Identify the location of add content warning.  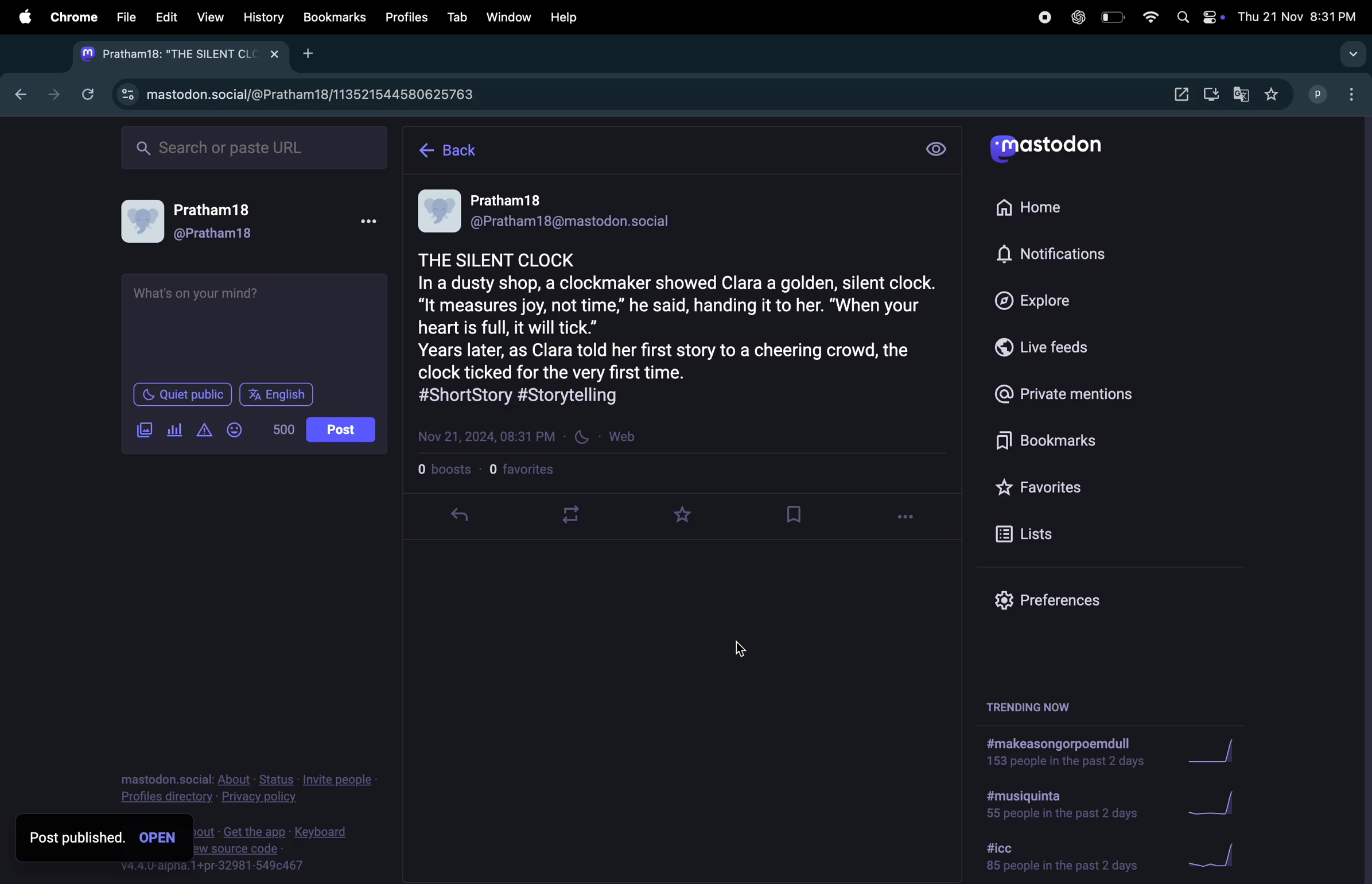
(204, 429).